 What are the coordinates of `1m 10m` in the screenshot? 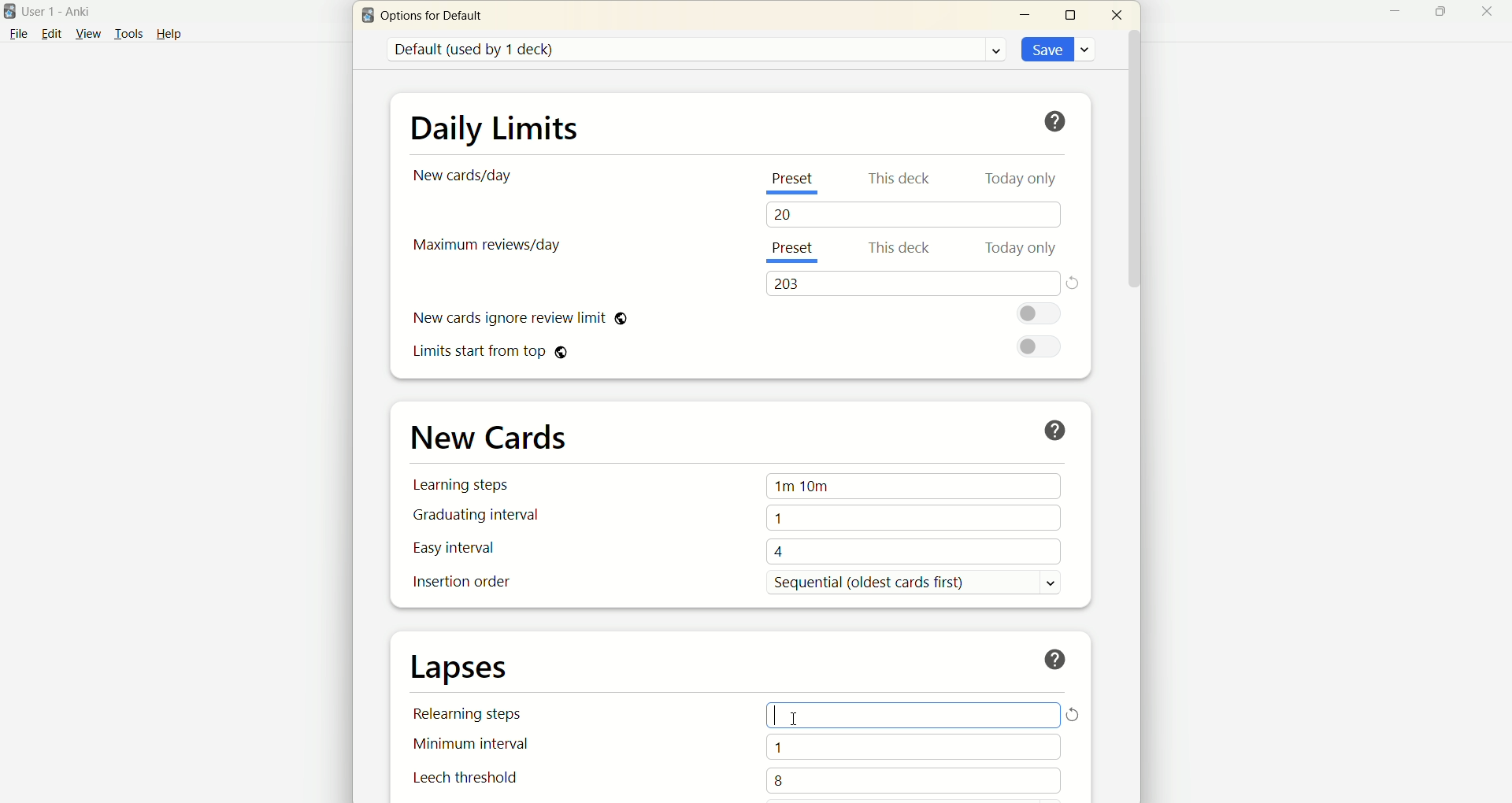 It's located at (915, 487).